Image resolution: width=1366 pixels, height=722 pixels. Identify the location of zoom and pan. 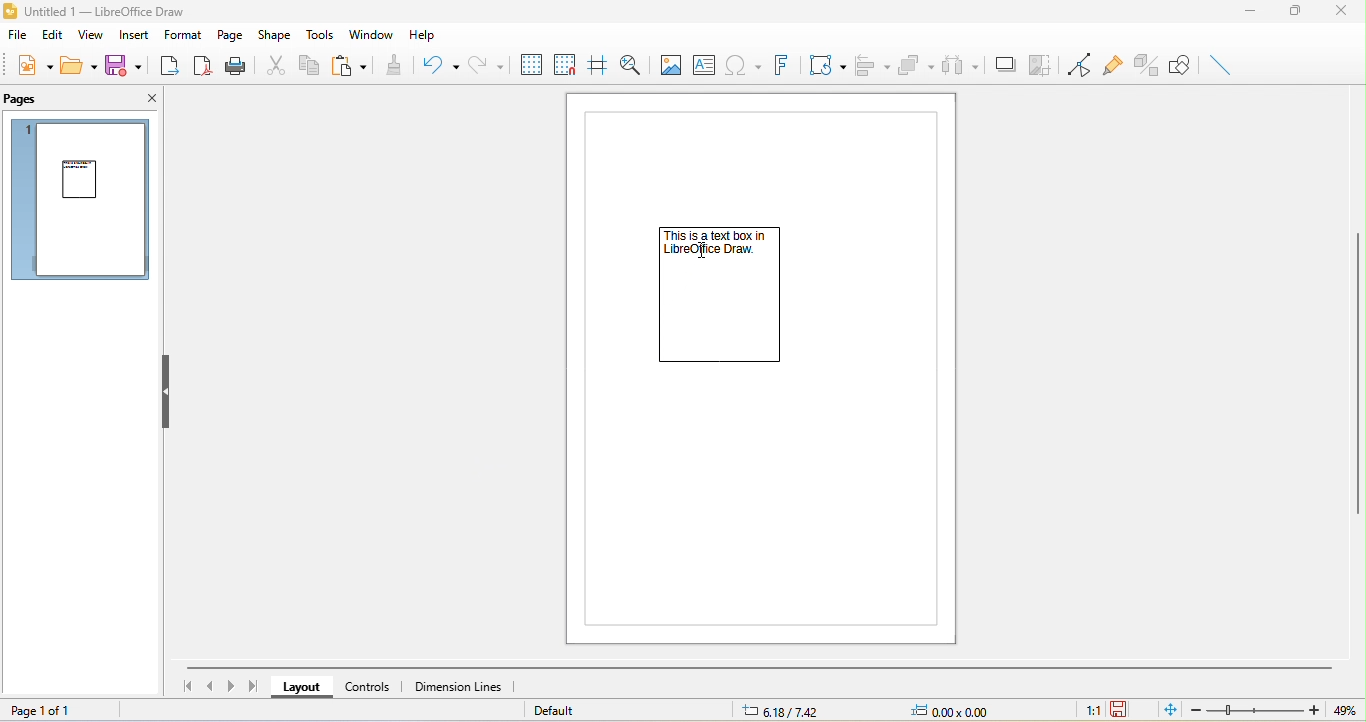
(629, 64).